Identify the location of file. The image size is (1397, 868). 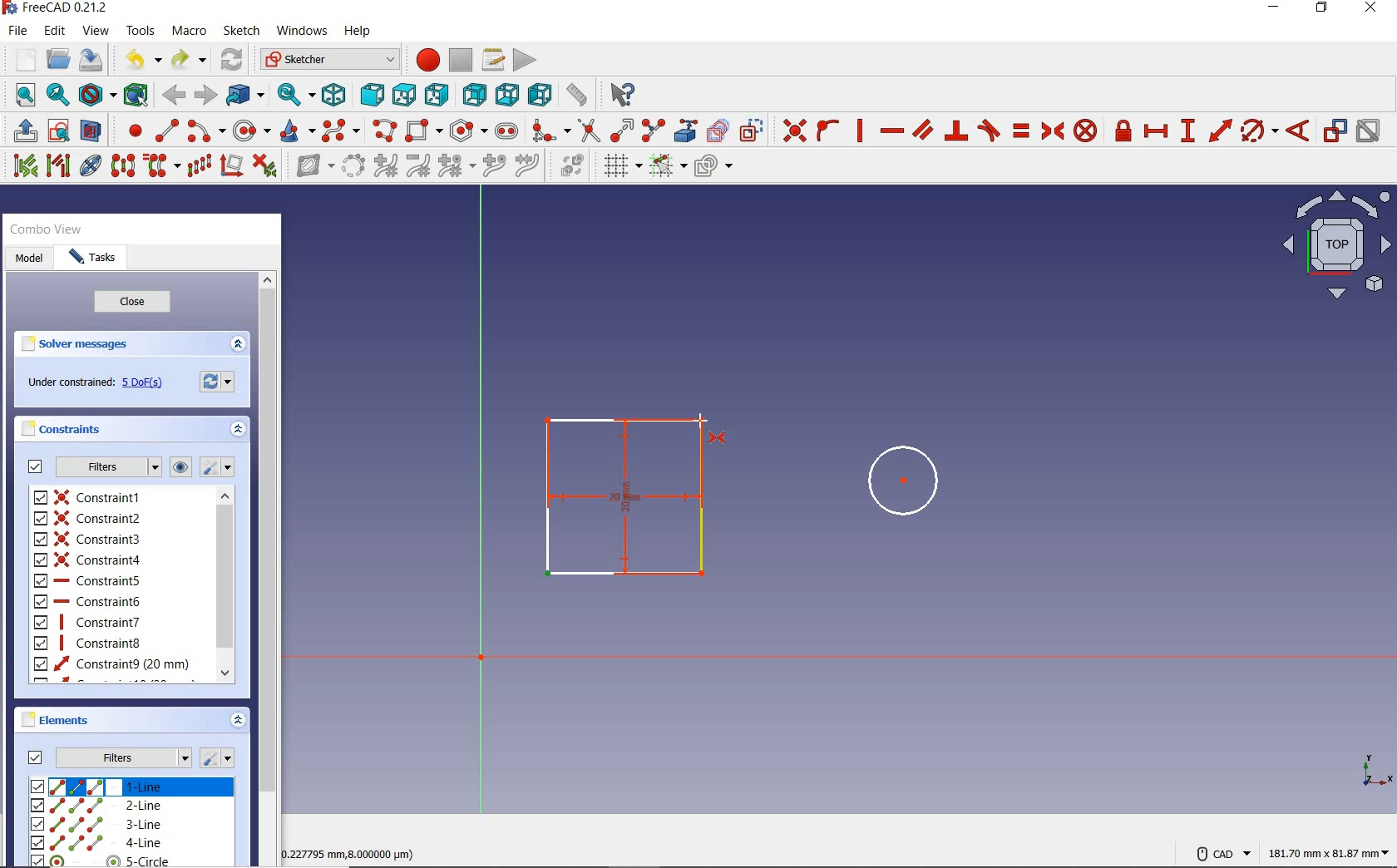
(17, 31).